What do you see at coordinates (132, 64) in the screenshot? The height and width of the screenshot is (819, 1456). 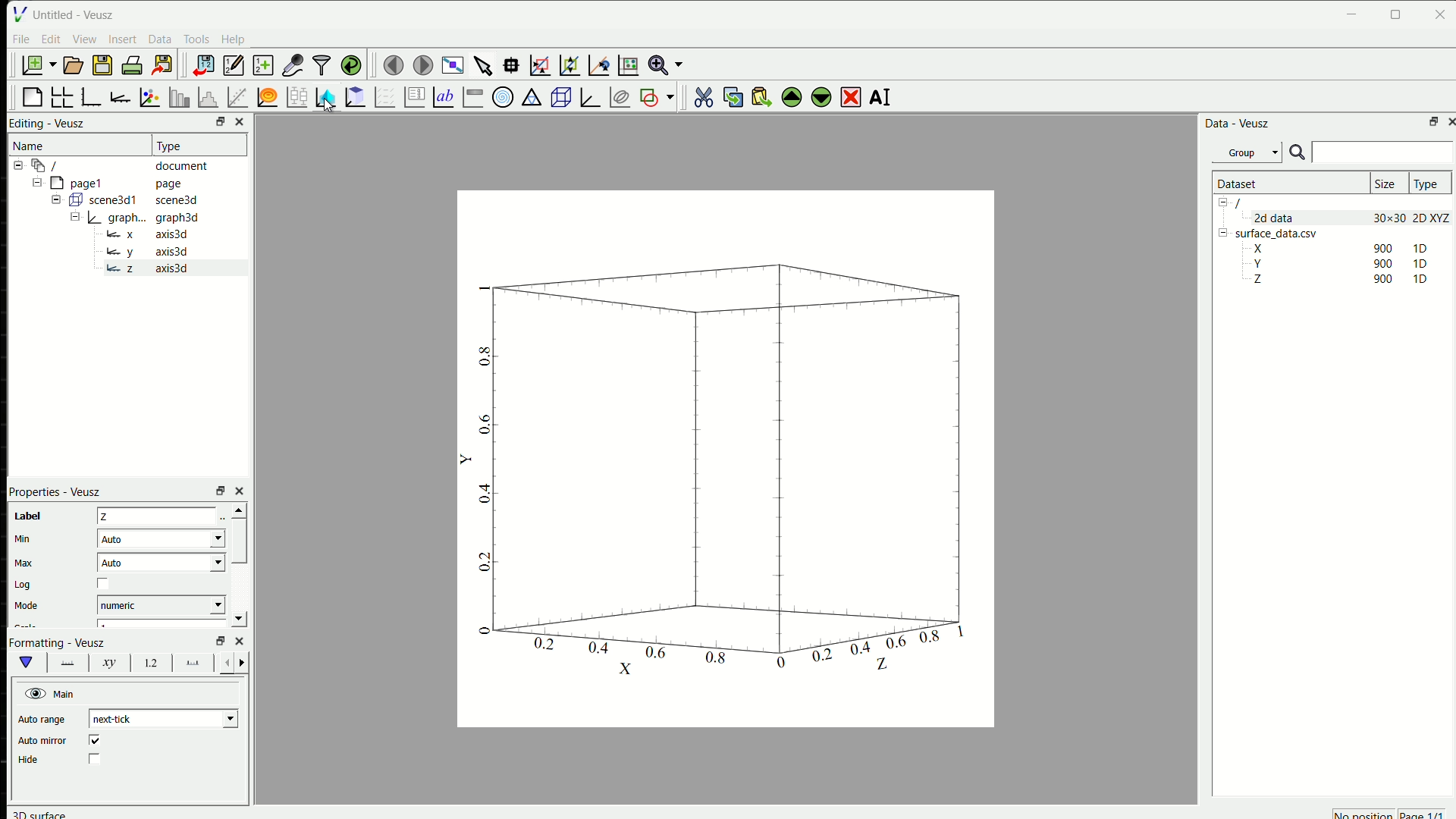 I see `print` at bounding box center [132, 64].